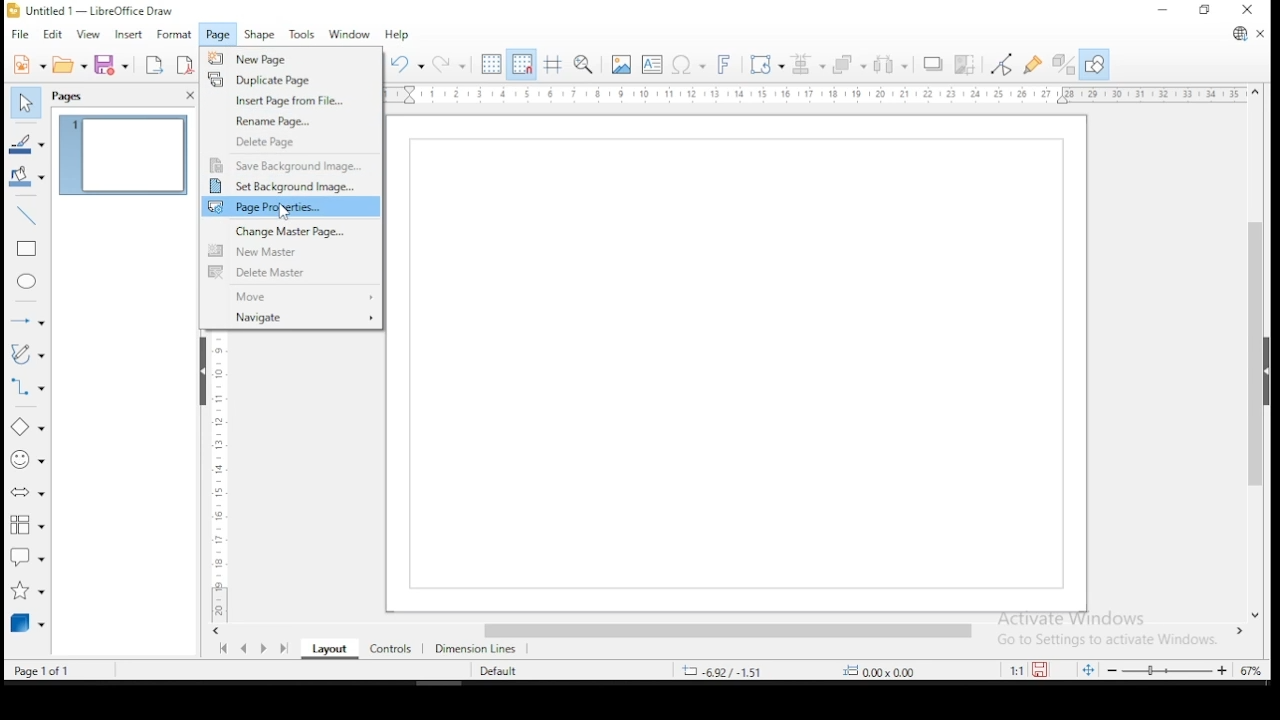  What do you see at coordinates (291, 231) in the screenshot?
I see `change master page` at bounding box center [291, 231].